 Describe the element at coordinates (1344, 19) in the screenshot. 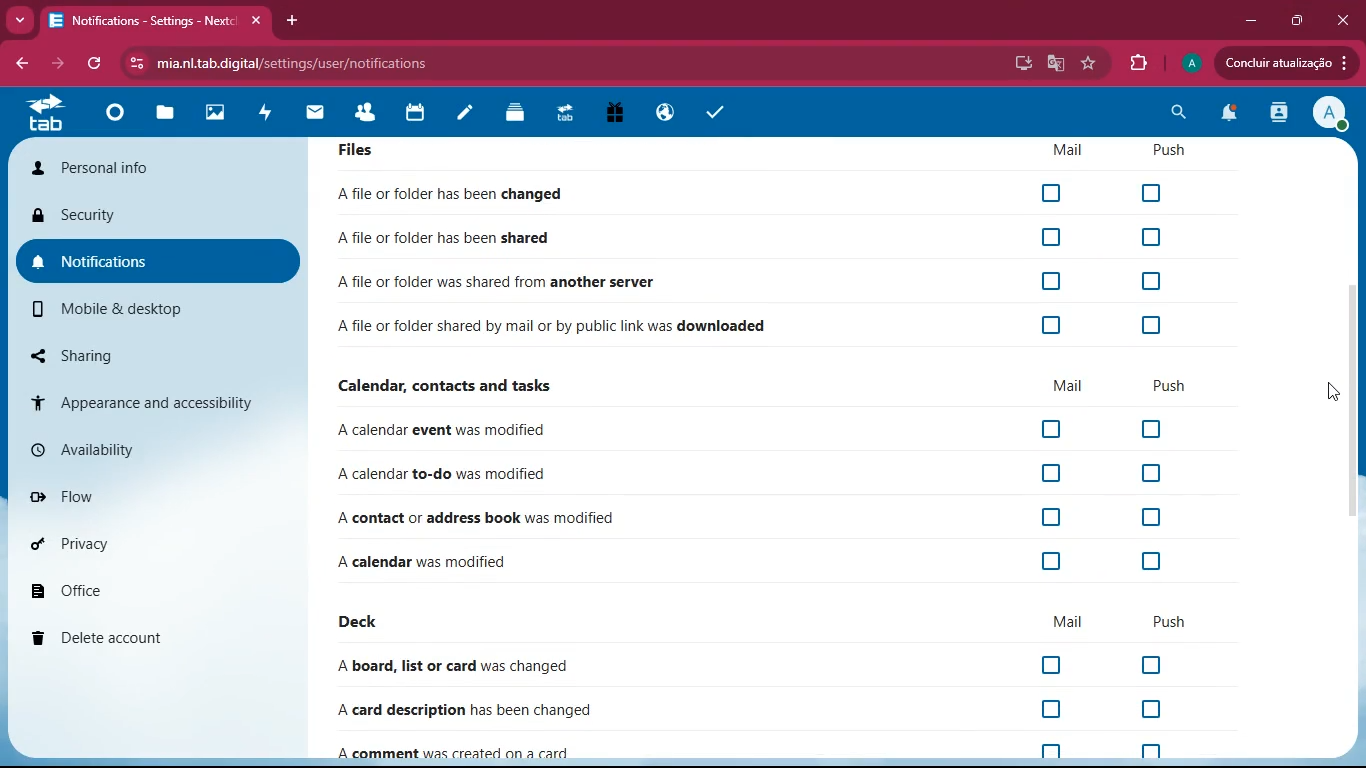

I see `Close` at that location.